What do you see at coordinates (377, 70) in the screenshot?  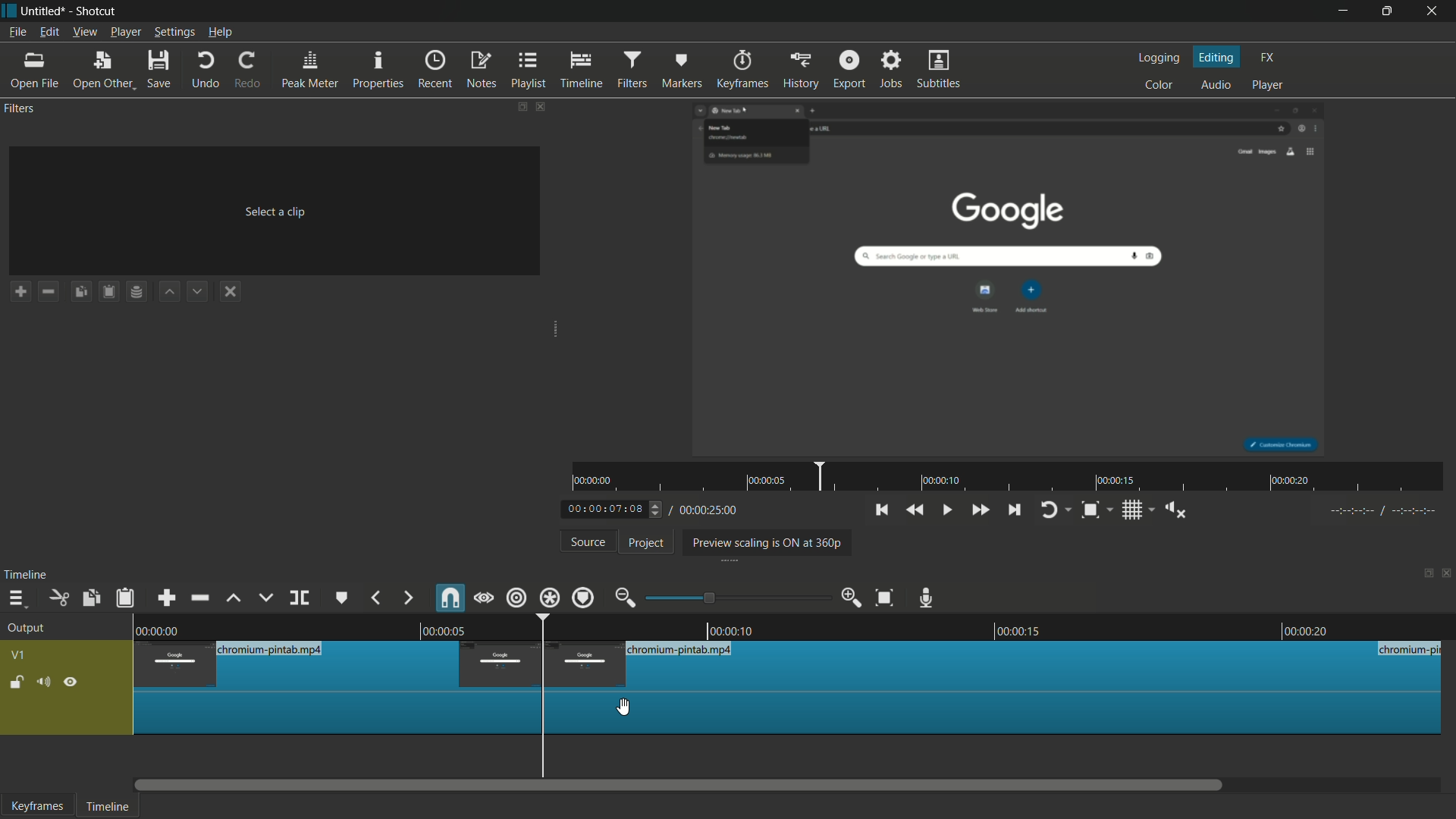 I see `properties` at bounding box center [377, 70].